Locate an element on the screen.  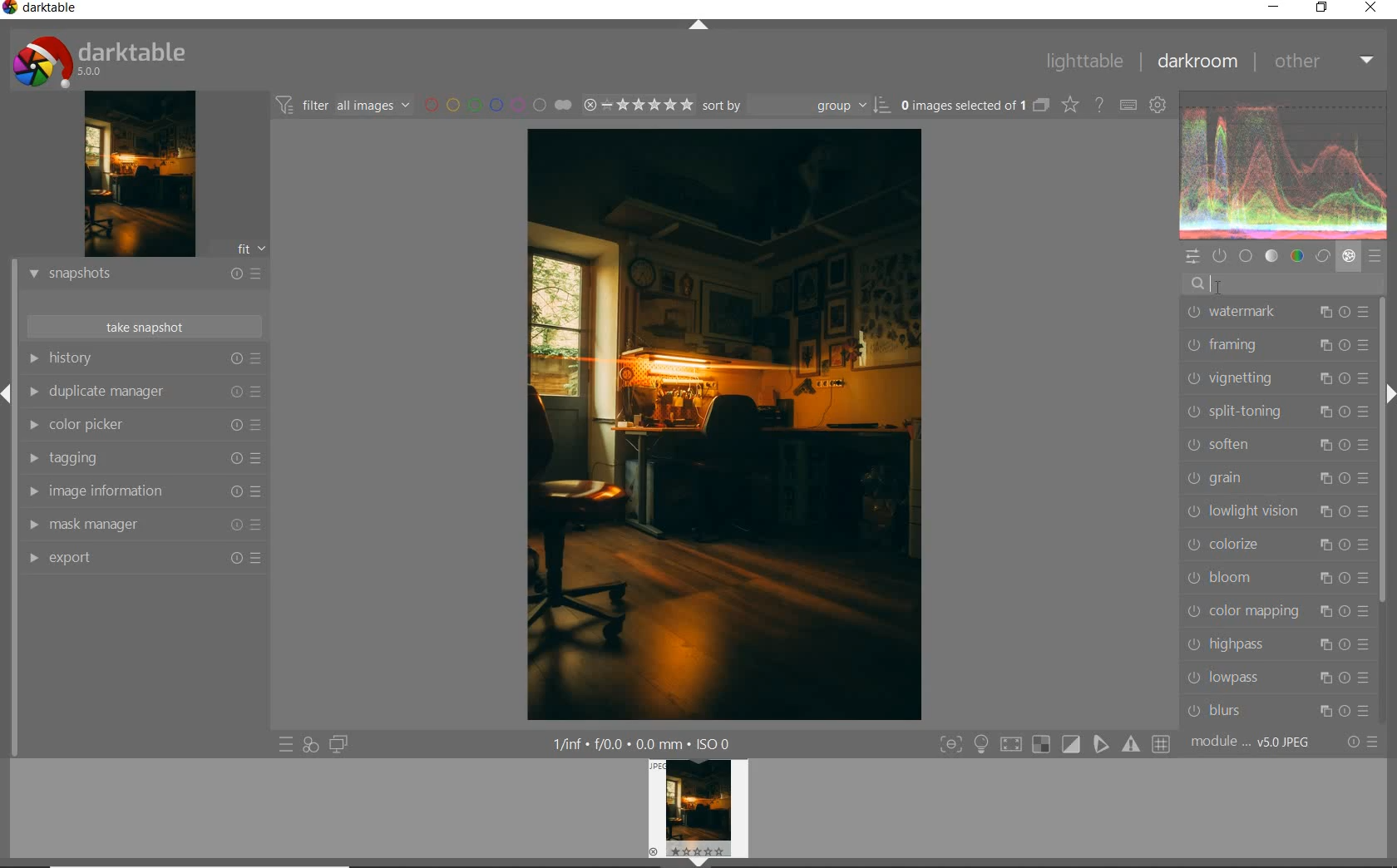
correct is located at coordinates (1323, 256).